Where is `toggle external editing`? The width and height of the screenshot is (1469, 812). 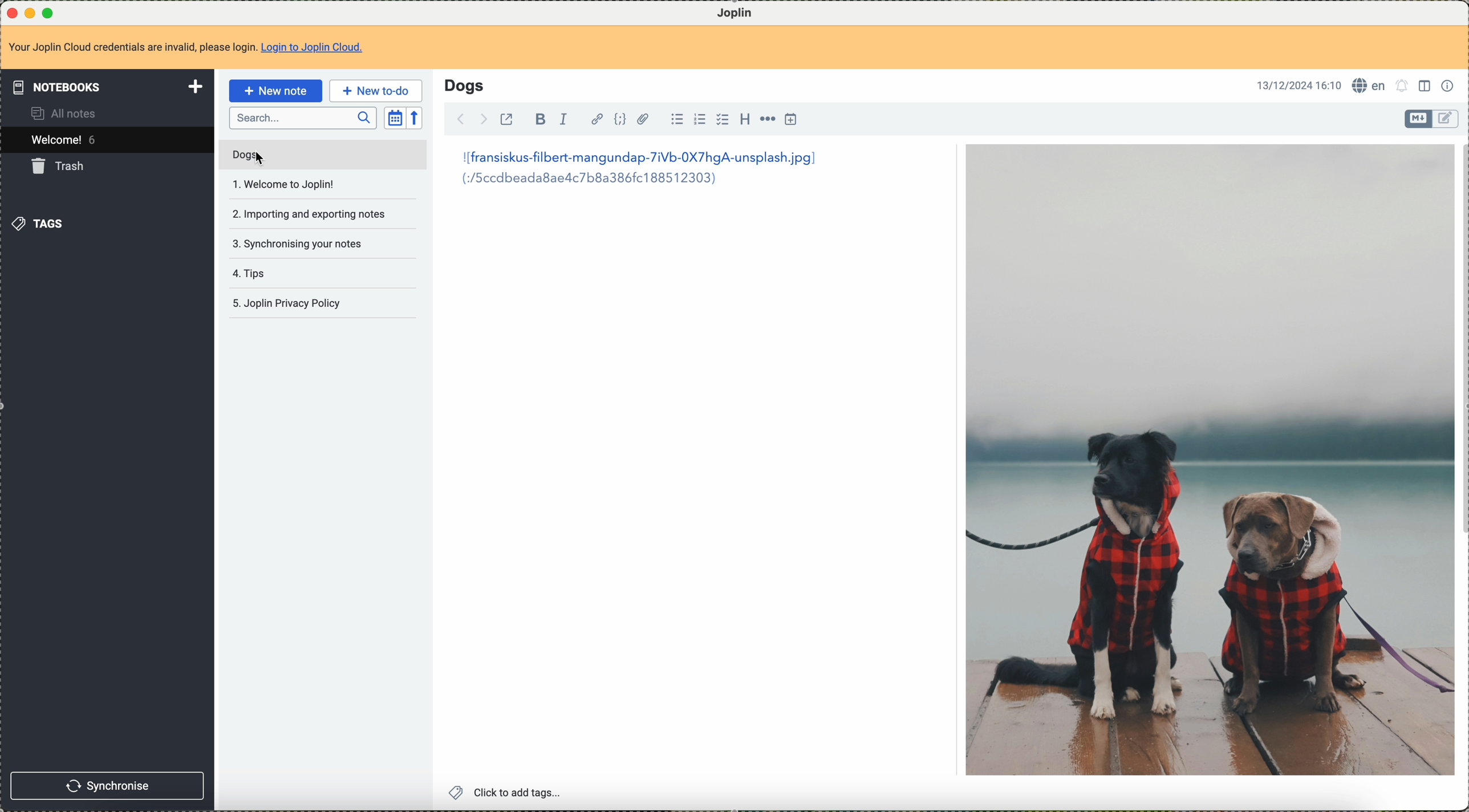 toggle external editing is located at coordinates (506, 120).